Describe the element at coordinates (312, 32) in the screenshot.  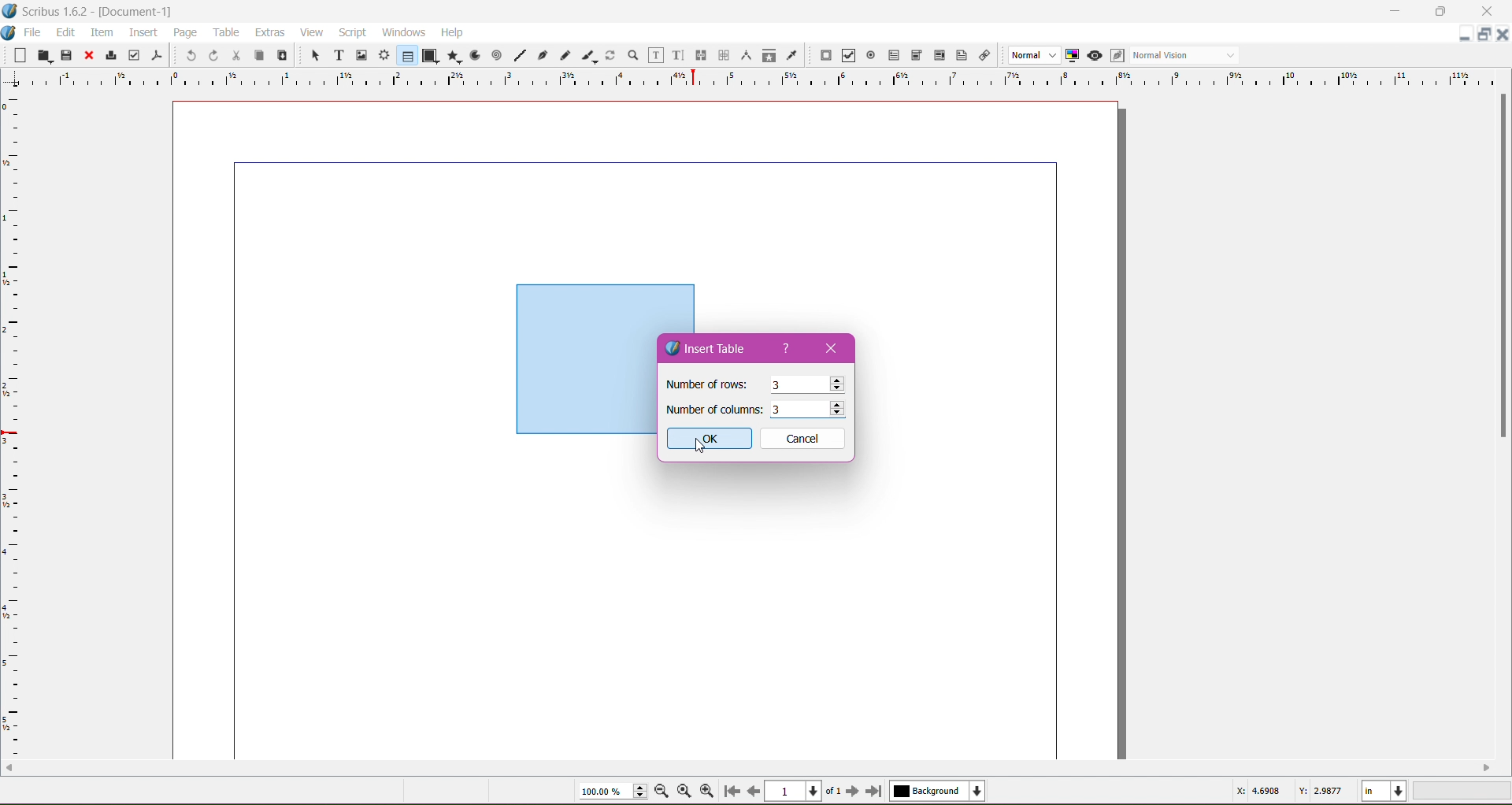
I see `View` at that location.